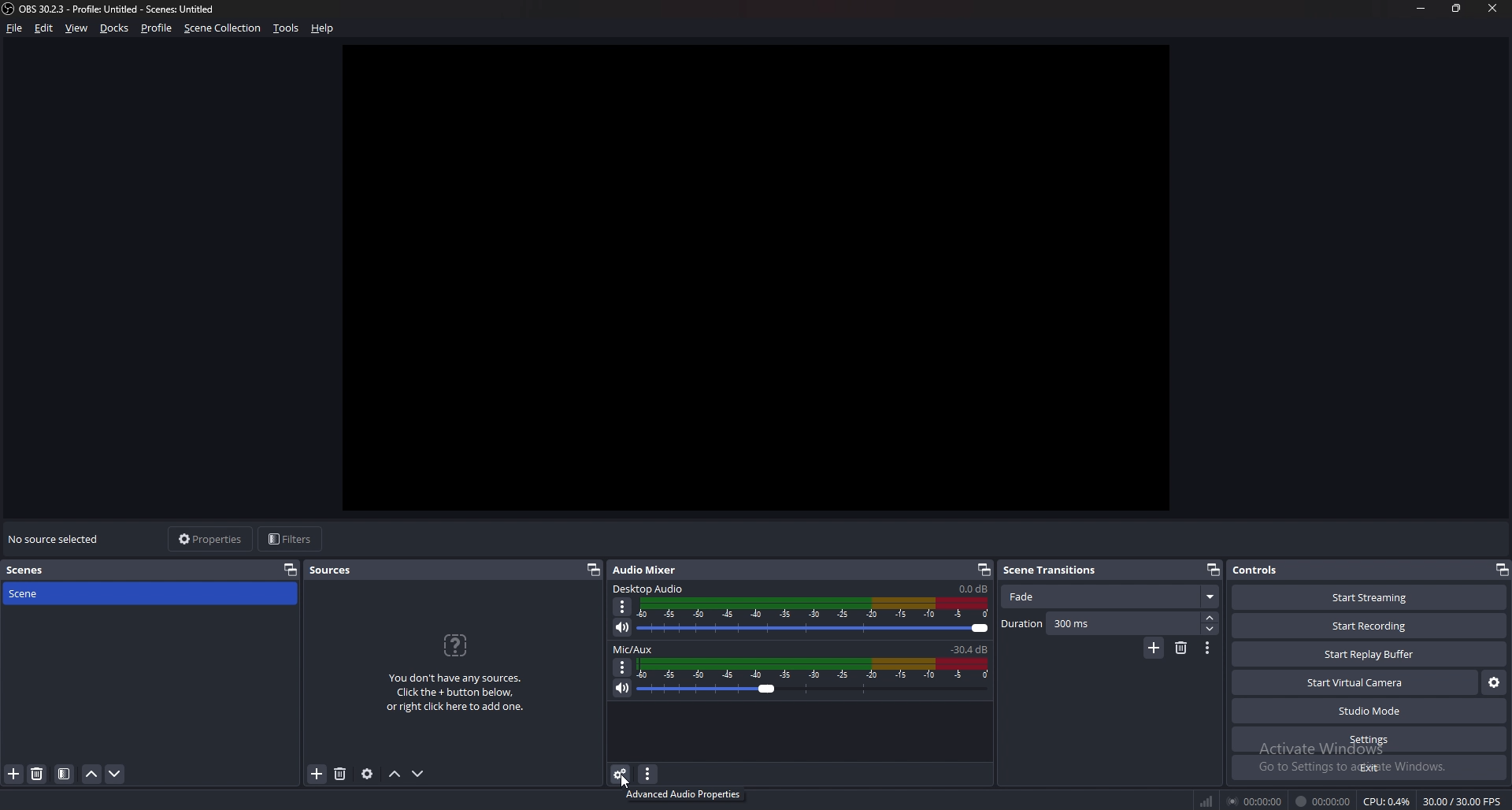 This screenshot has width=1512, height=810. Describe the element at coordinates (340, 774) in the screenshot. I see `remove source` at that location.